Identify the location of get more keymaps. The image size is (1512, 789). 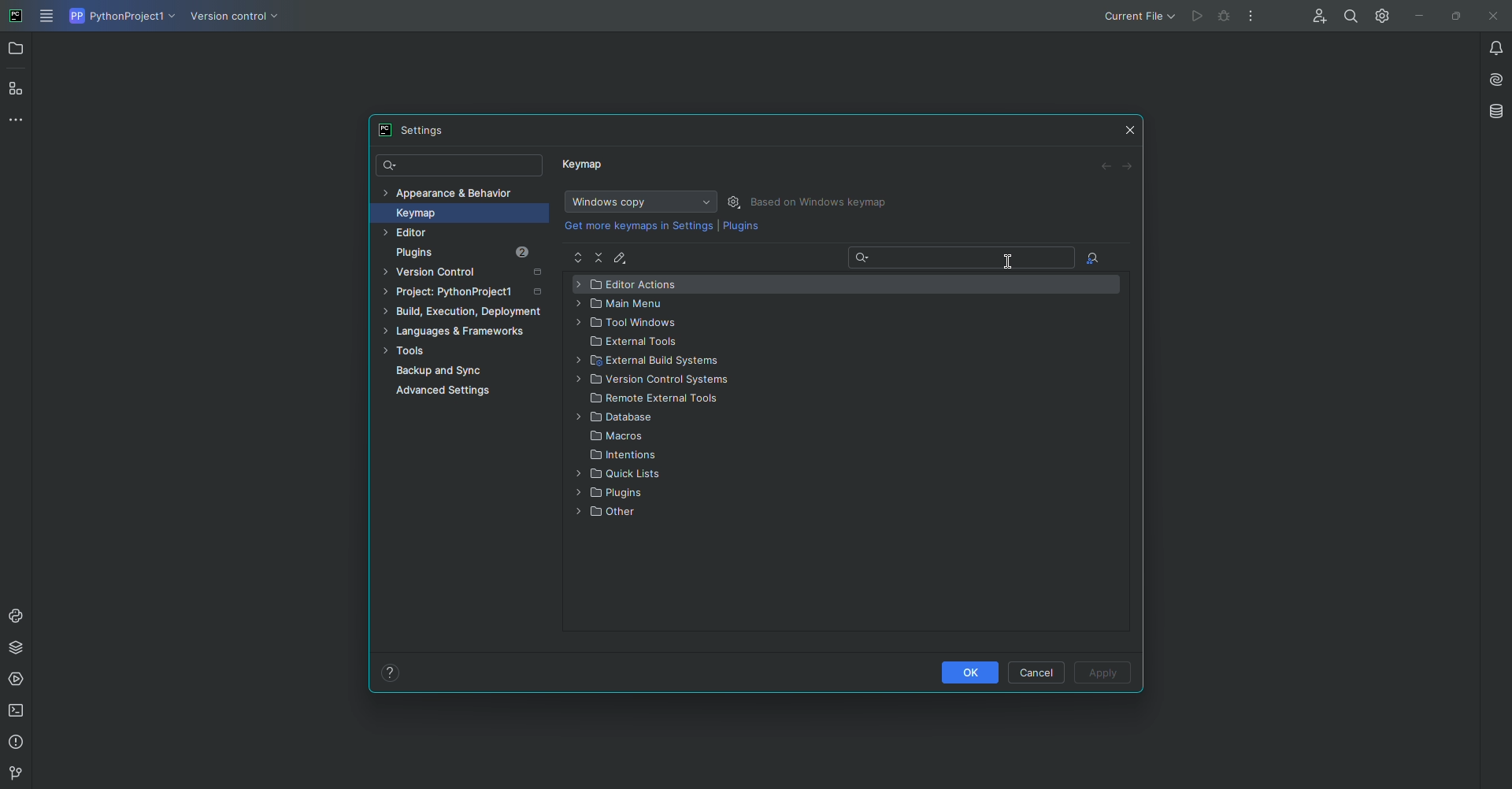
(640, 225).